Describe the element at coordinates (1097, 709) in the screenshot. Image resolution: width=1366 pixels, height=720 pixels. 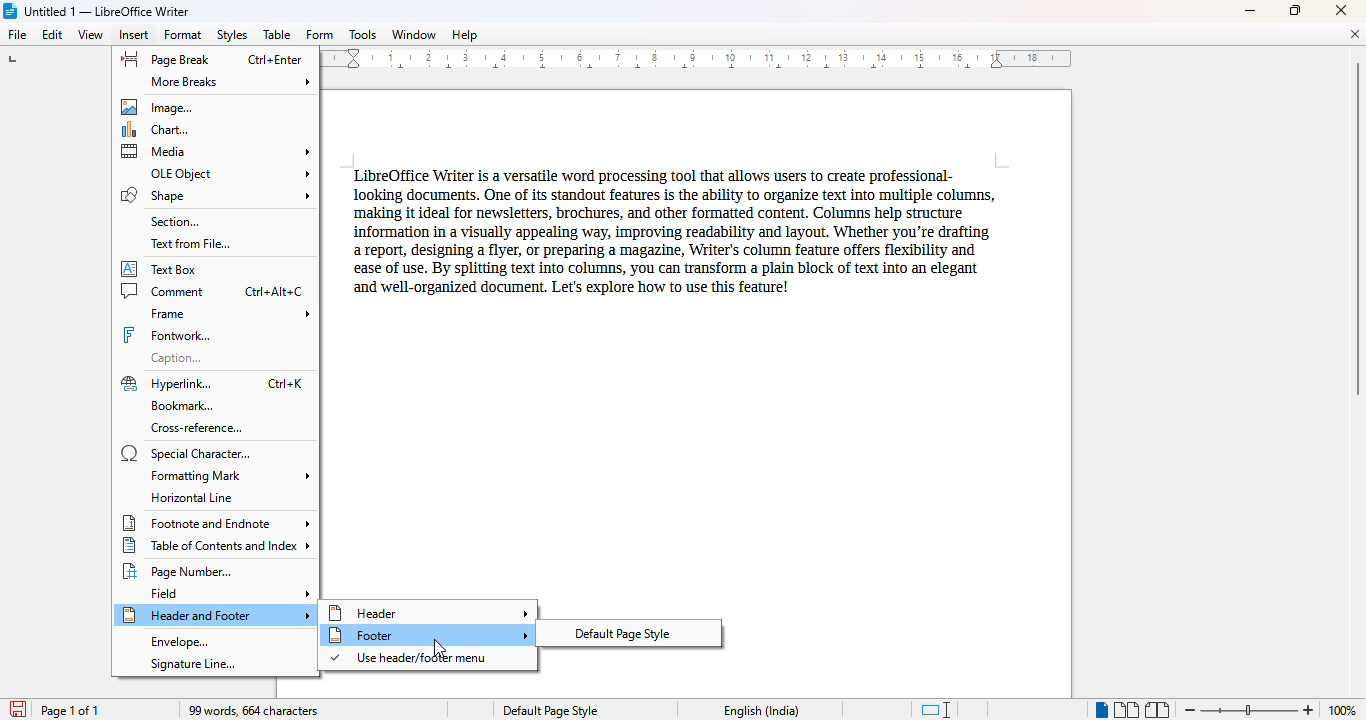
I see `one page view` at that location.